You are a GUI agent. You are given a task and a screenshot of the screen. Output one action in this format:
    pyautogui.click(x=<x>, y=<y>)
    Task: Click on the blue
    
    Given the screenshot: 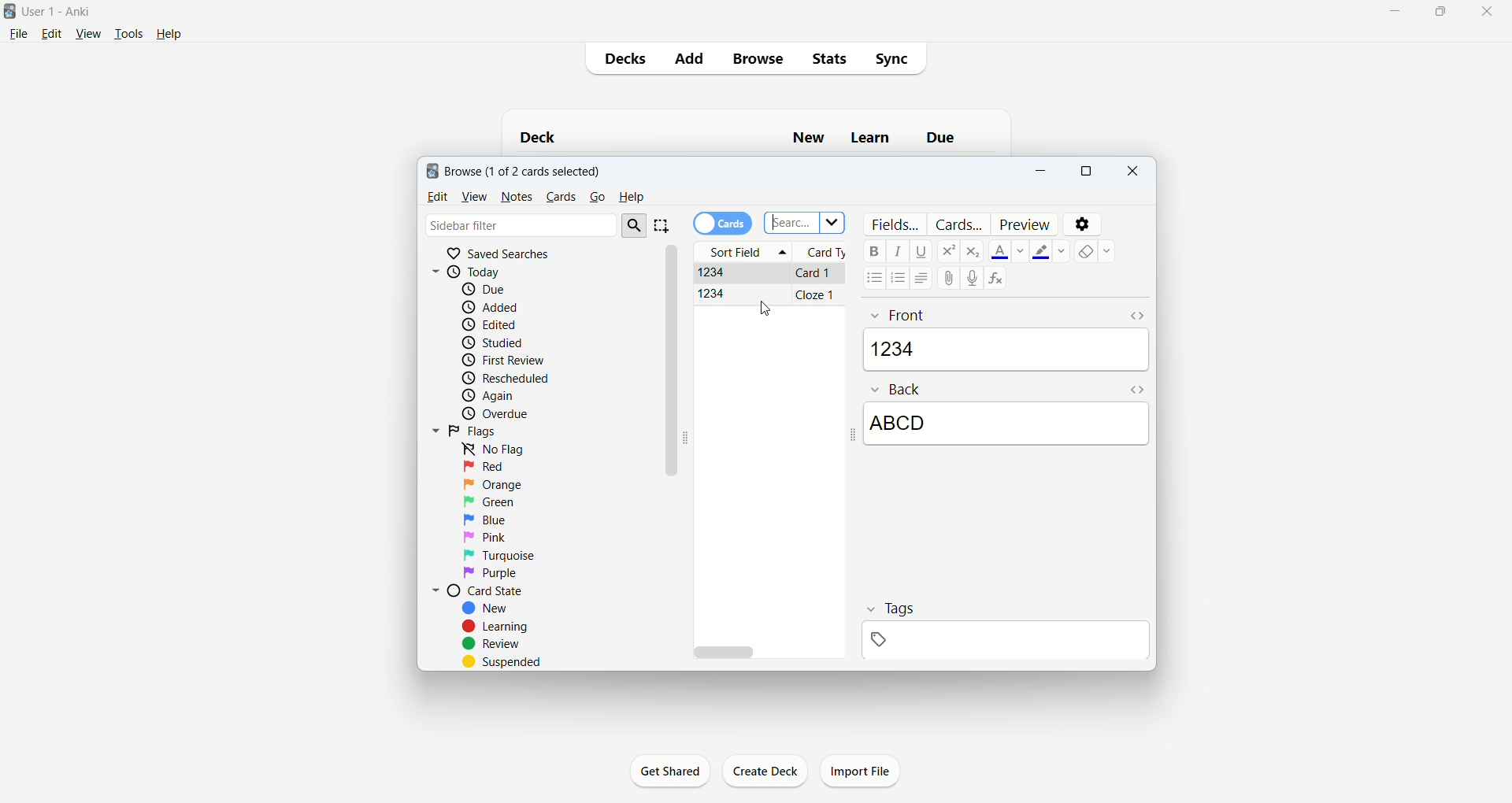 What is the action you would take?
    pyautogui.click(x=485, y=520)
    